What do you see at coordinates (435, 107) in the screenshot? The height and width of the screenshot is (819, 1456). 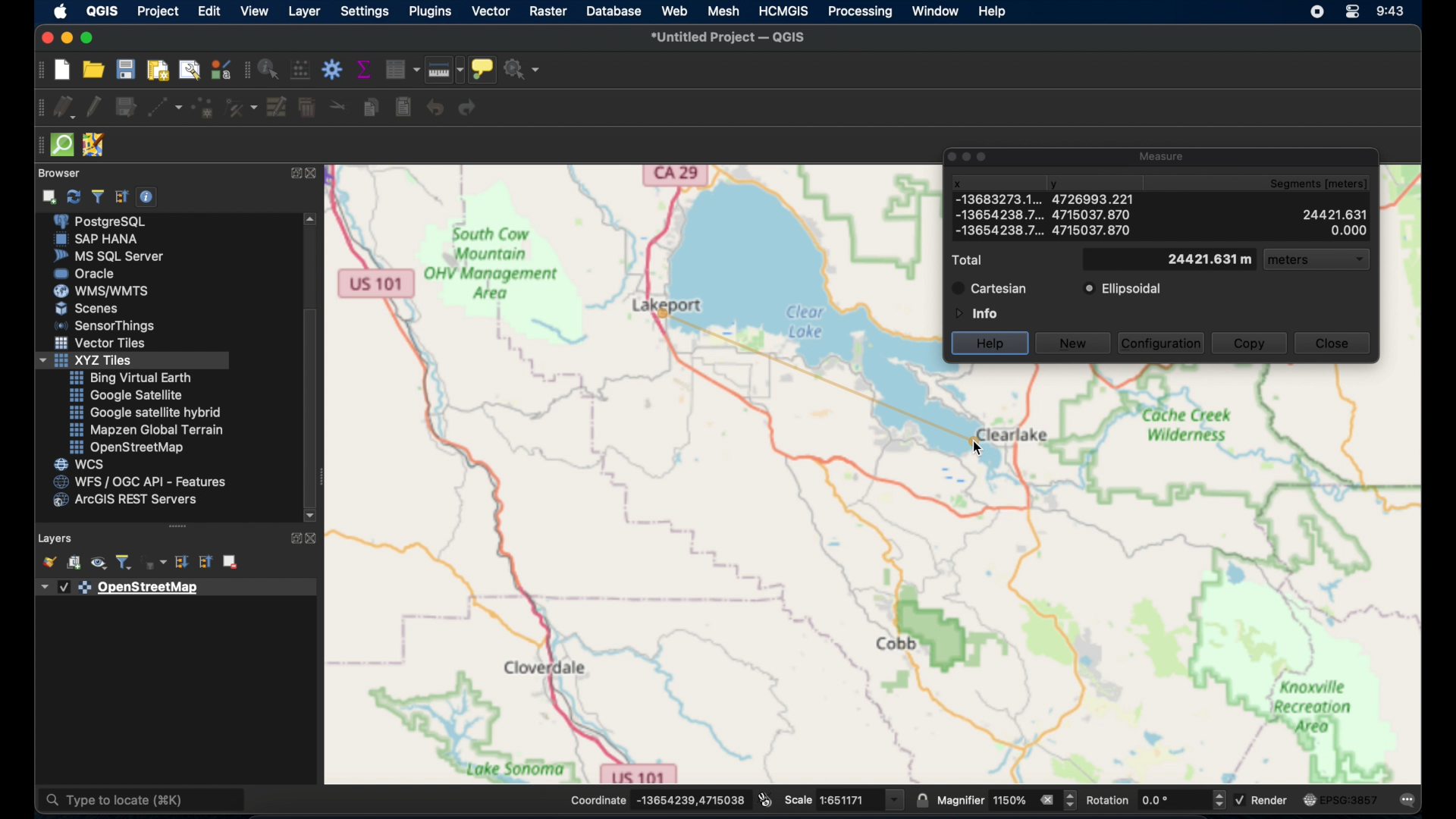 I see `undo` at bounding box center [435, 107].